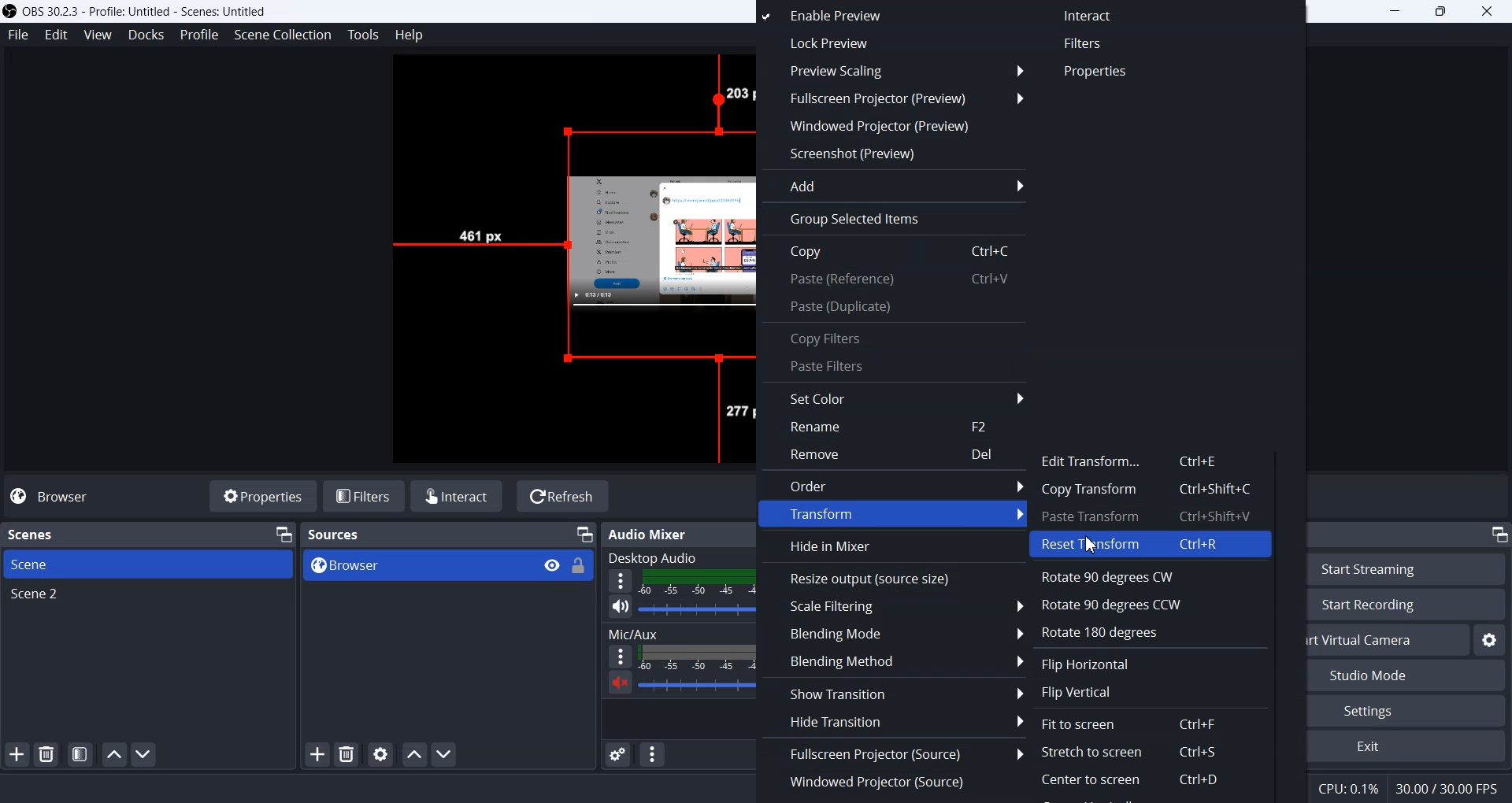 The height and width of the screenshot is (803, 1512). Describe the element at coordinates (893, 398) in the screenshot. I see `Set Color` at that location.